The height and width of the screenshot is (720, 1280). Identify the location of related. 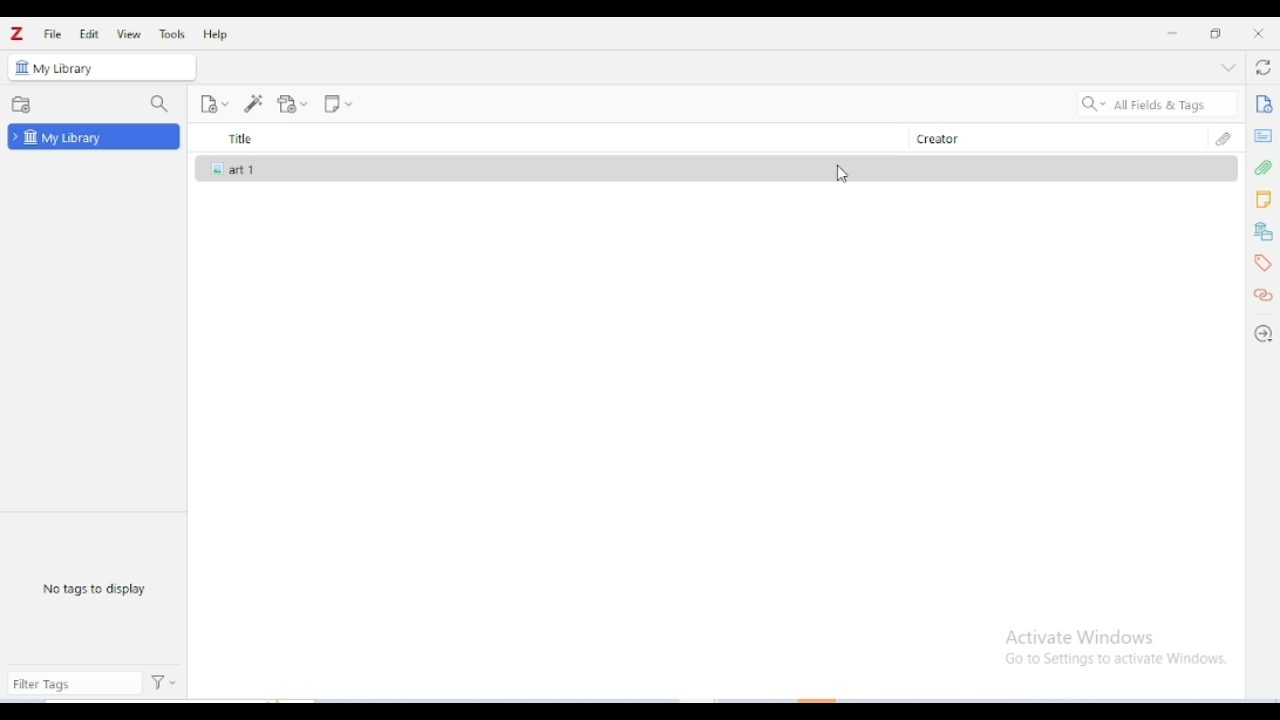
(1262, 295).